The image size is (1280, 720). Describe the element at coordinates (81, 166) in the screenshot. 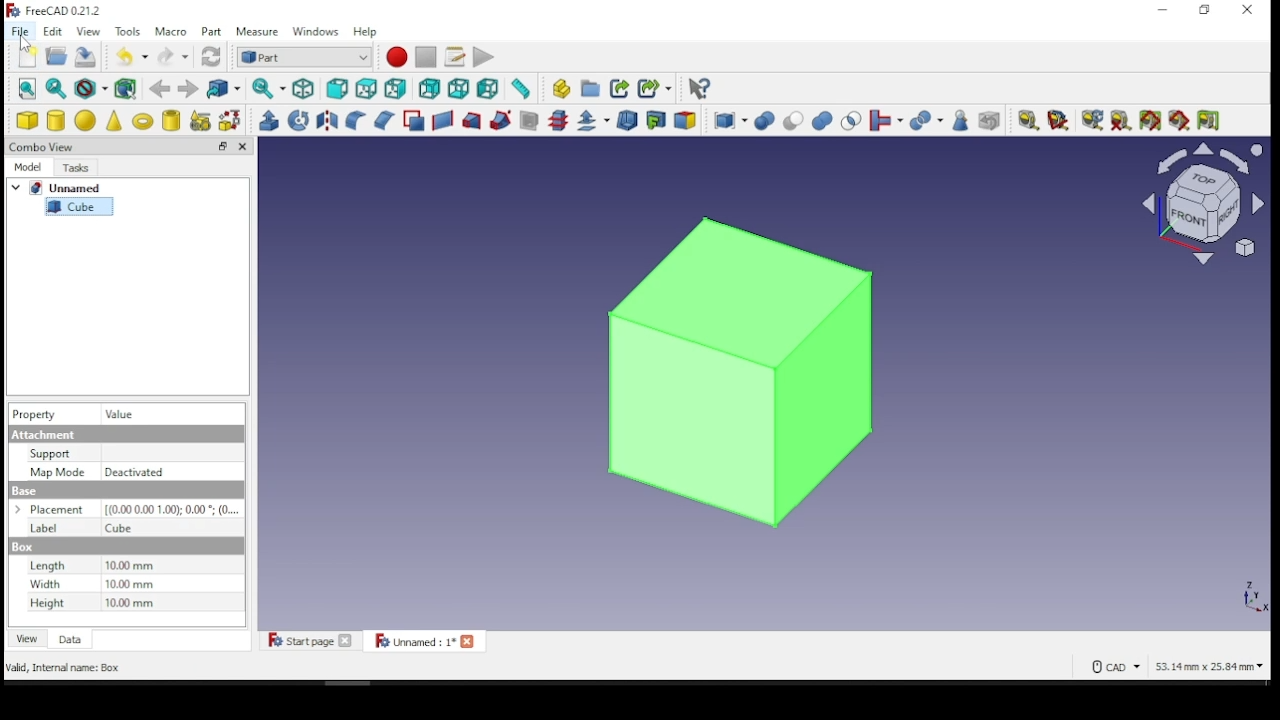

I see `tasks` at that location.